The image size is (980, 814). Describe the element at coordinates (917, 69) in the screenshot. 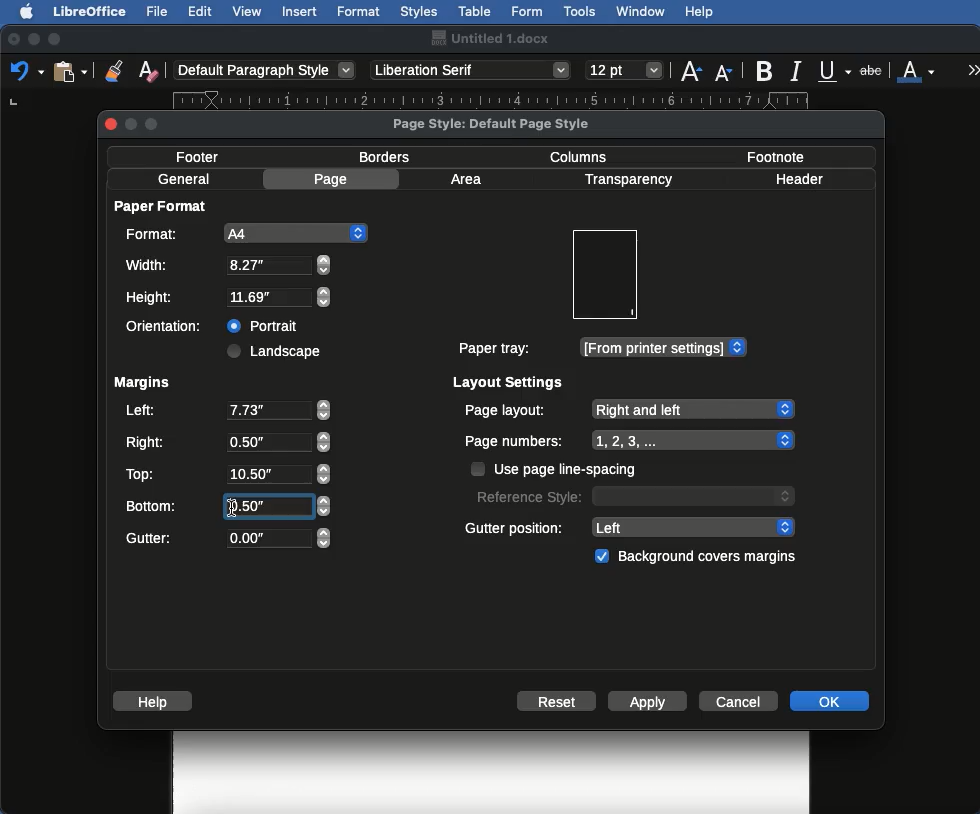

I see `Font color` at that location.